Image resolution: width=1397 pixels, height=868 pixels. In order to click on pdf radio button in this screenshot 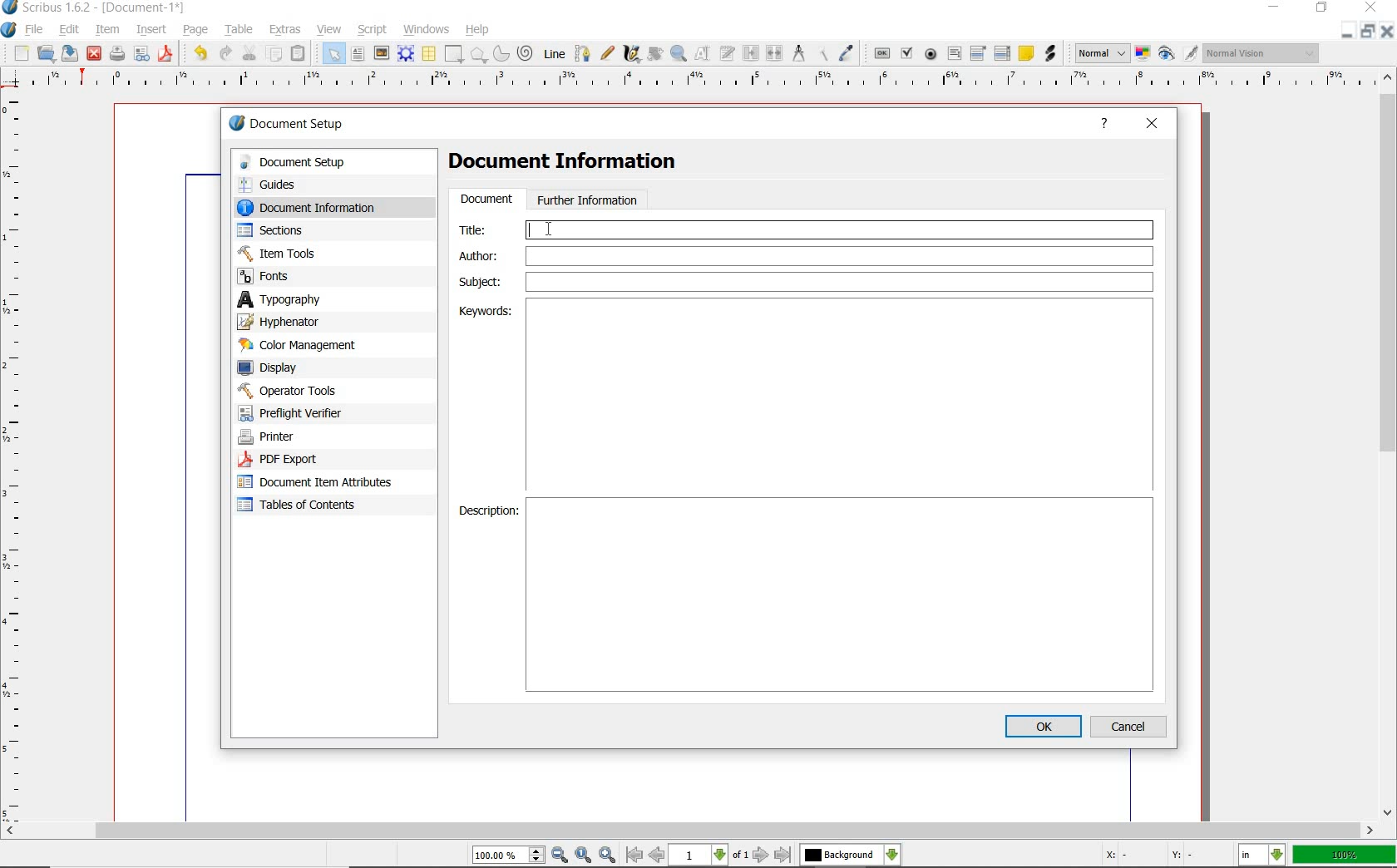, I will do `click(931, 54)`.